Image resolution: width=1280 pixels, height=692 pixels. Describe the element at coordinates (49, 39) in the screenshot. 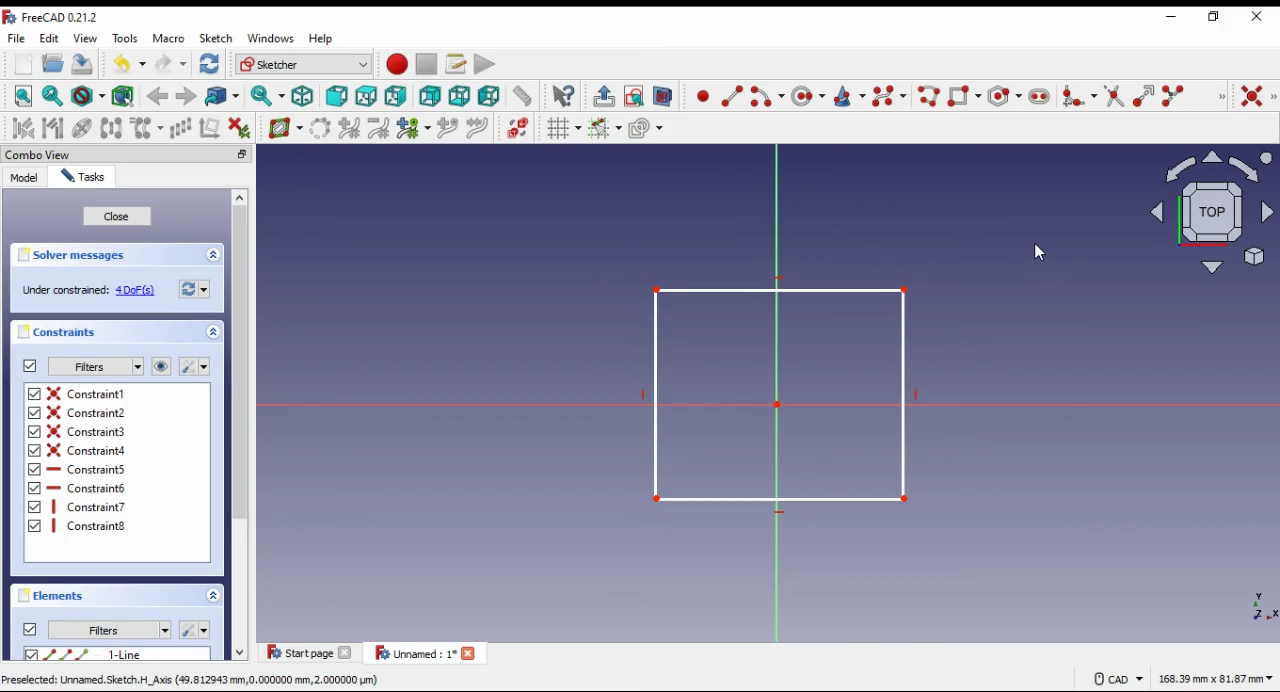

I see `edit` at that location.